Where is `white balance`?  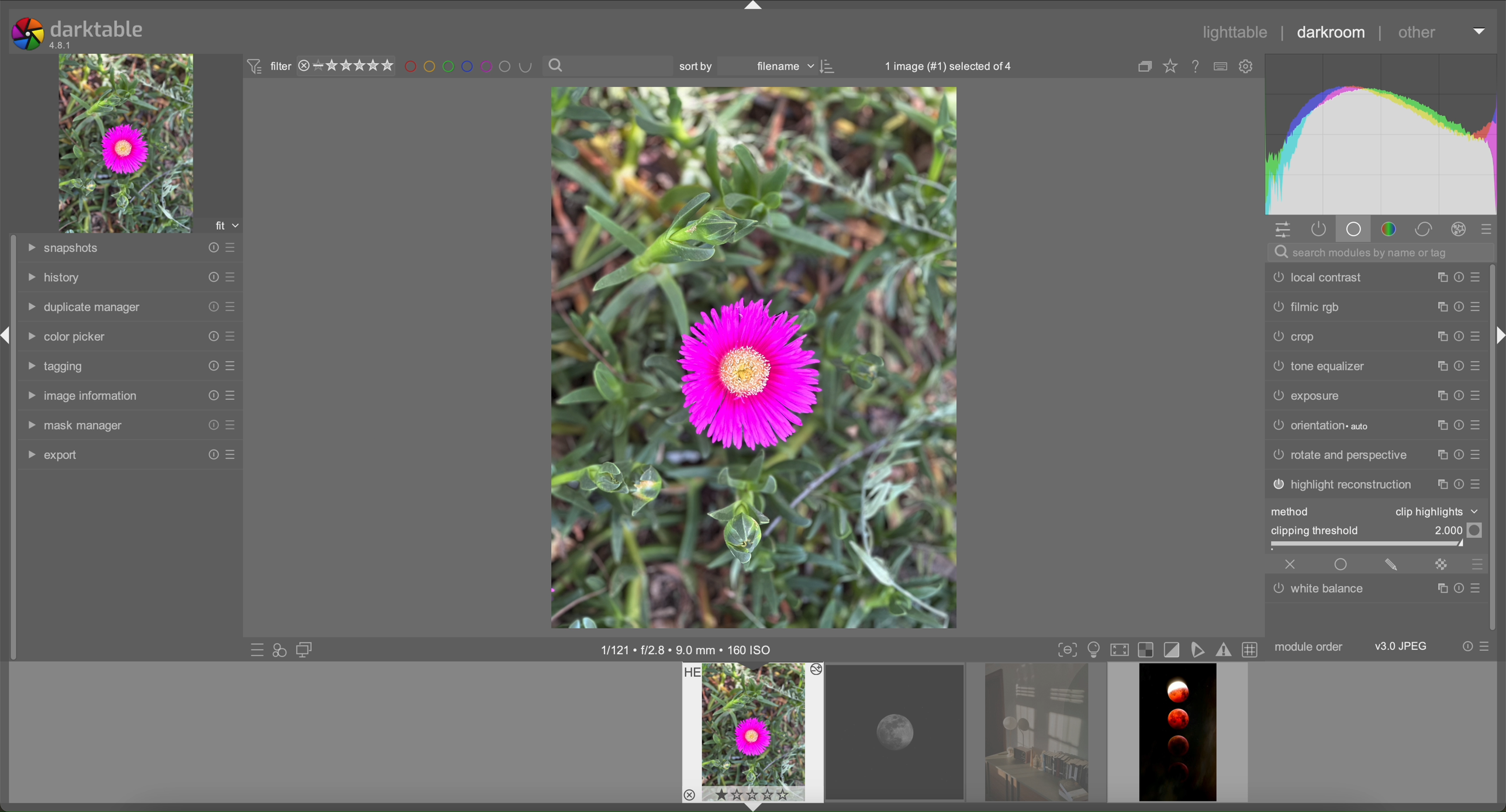
white balance is located at coordinates (1321, 592).